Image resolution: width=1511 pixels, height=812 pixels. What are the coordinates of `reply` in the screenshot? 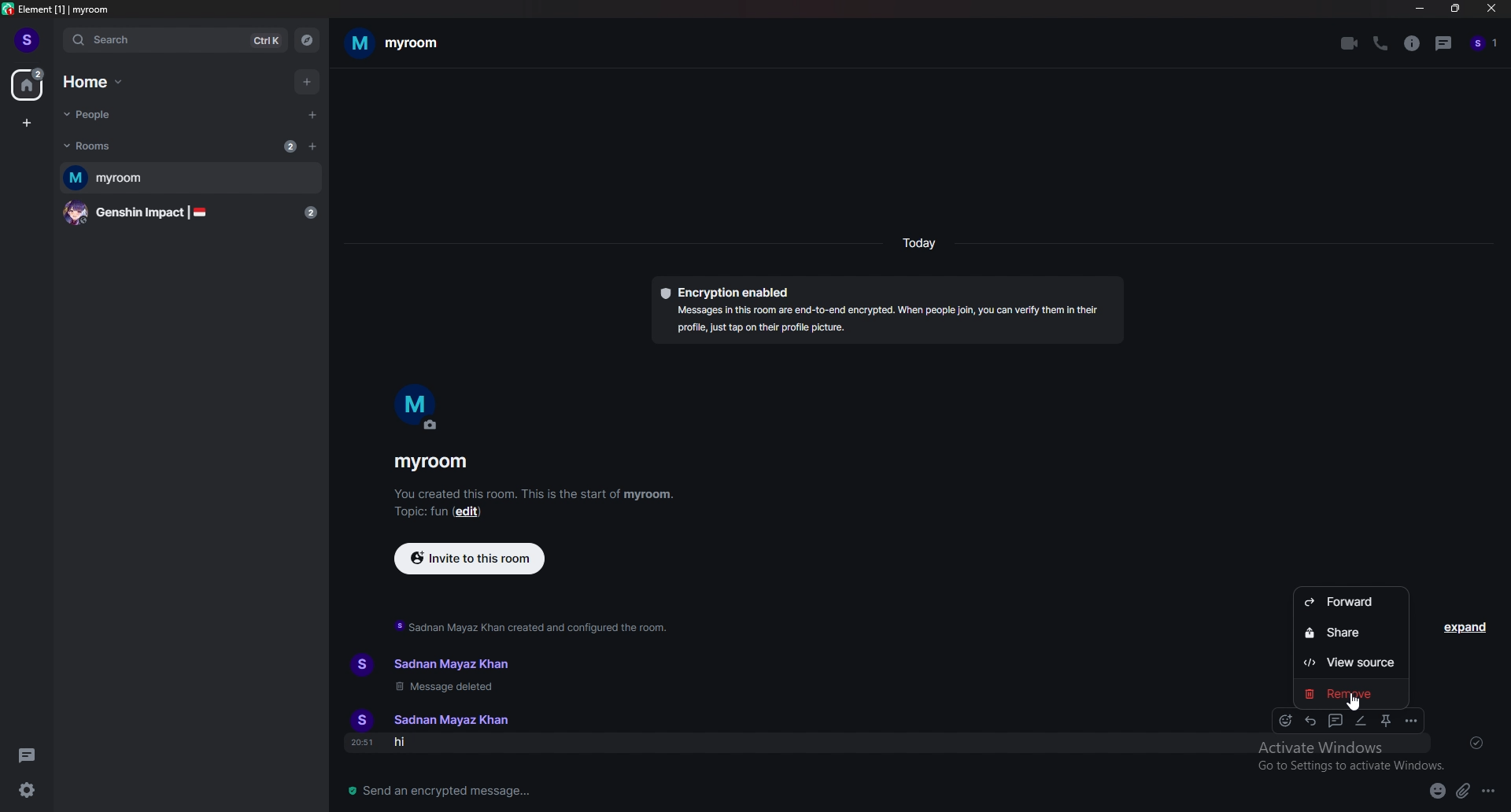 It's located at (1311, 720).